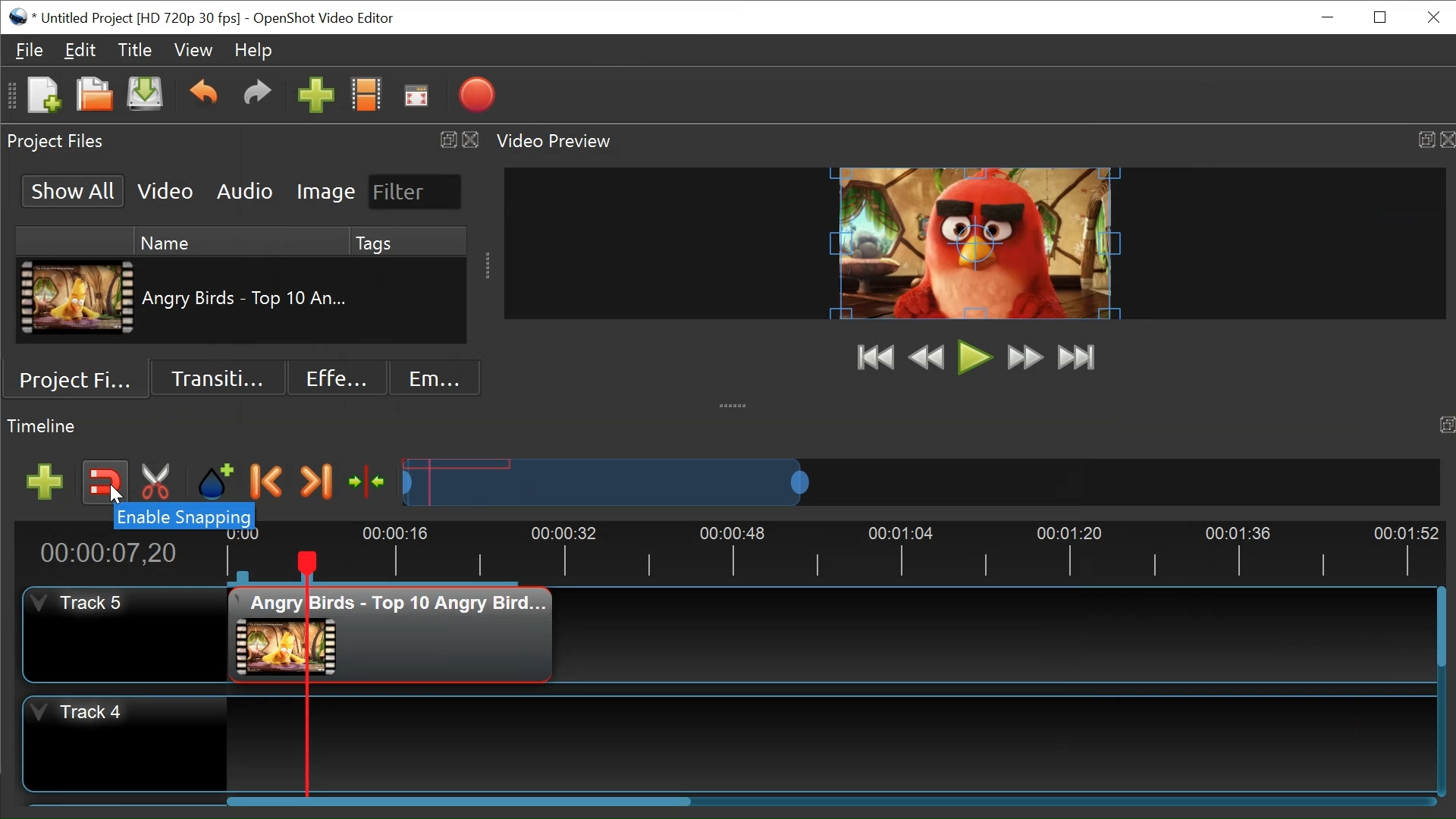 The image size is (1456, 819). I want to click on Add Marker, so click(216, 484).